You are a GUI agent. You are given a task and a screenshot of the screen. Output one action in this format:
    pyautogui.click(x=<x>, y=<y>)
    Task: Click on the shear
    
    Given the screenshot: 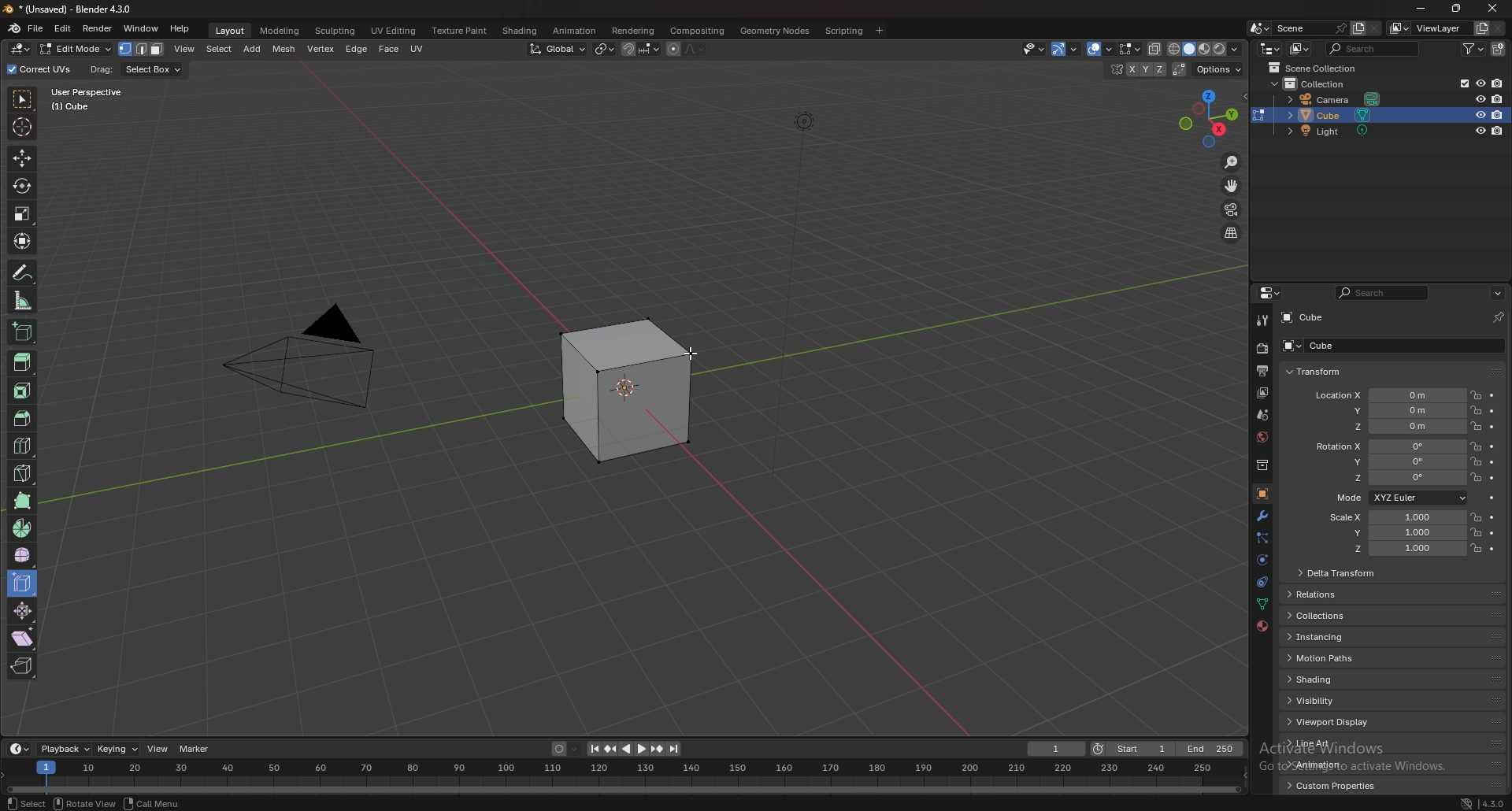 What is the action you would take?
    pyautogui.click(x=22, y=637)
    